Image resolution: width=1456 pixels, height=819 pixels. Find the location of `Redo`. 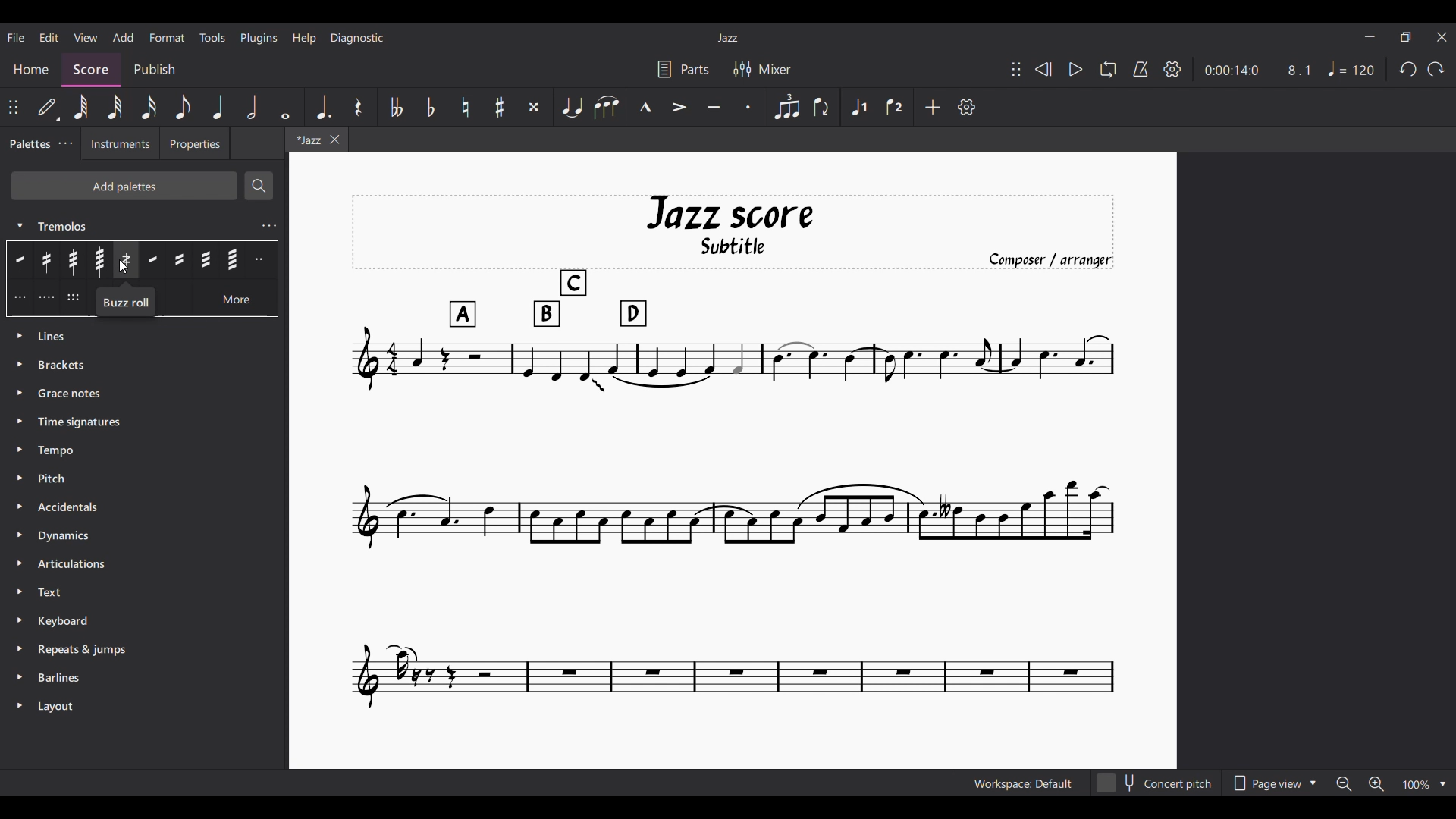

Redo is located at coordinates (1437, 69).